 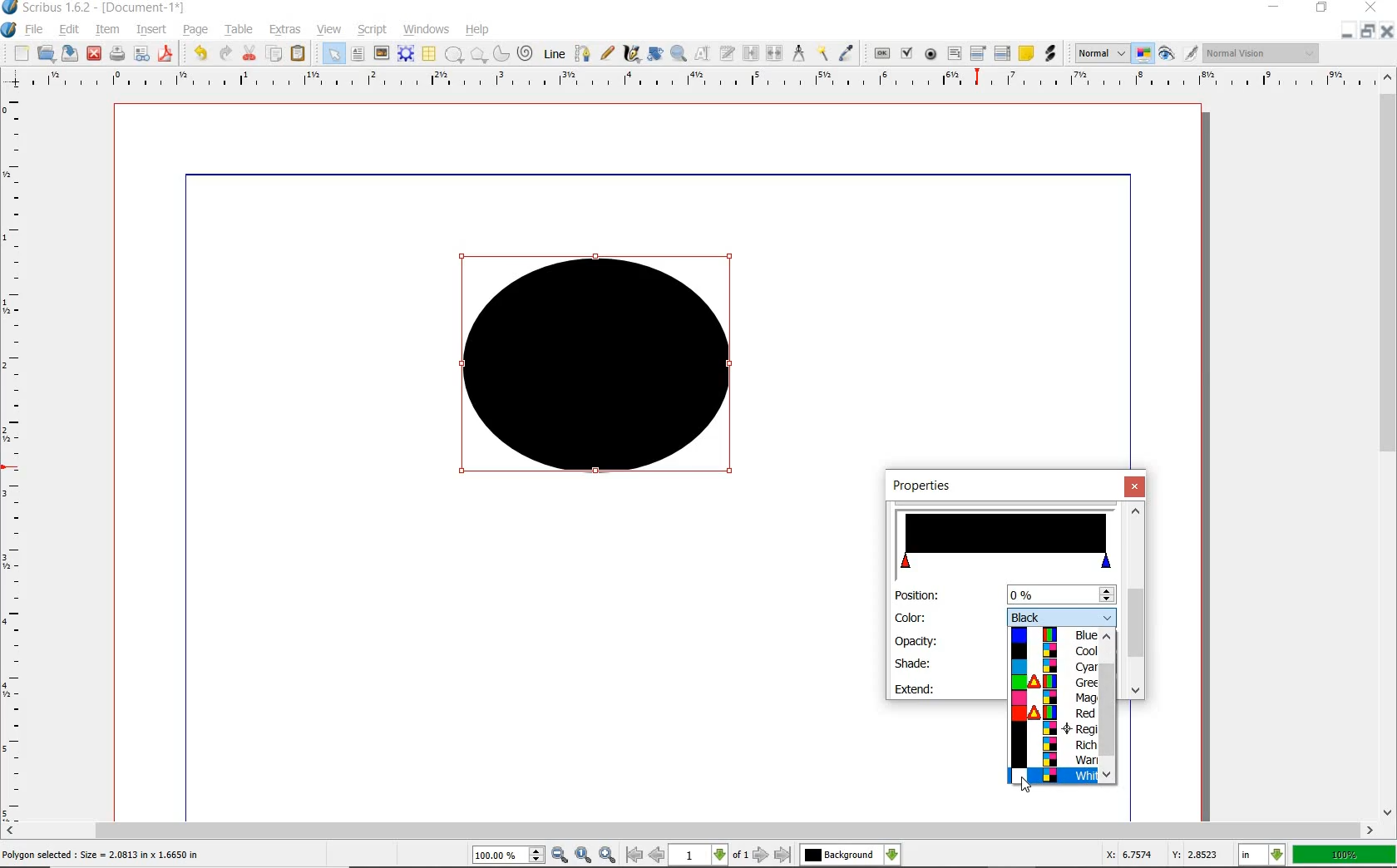 I want to click on color, so click(x=1062, y=615).